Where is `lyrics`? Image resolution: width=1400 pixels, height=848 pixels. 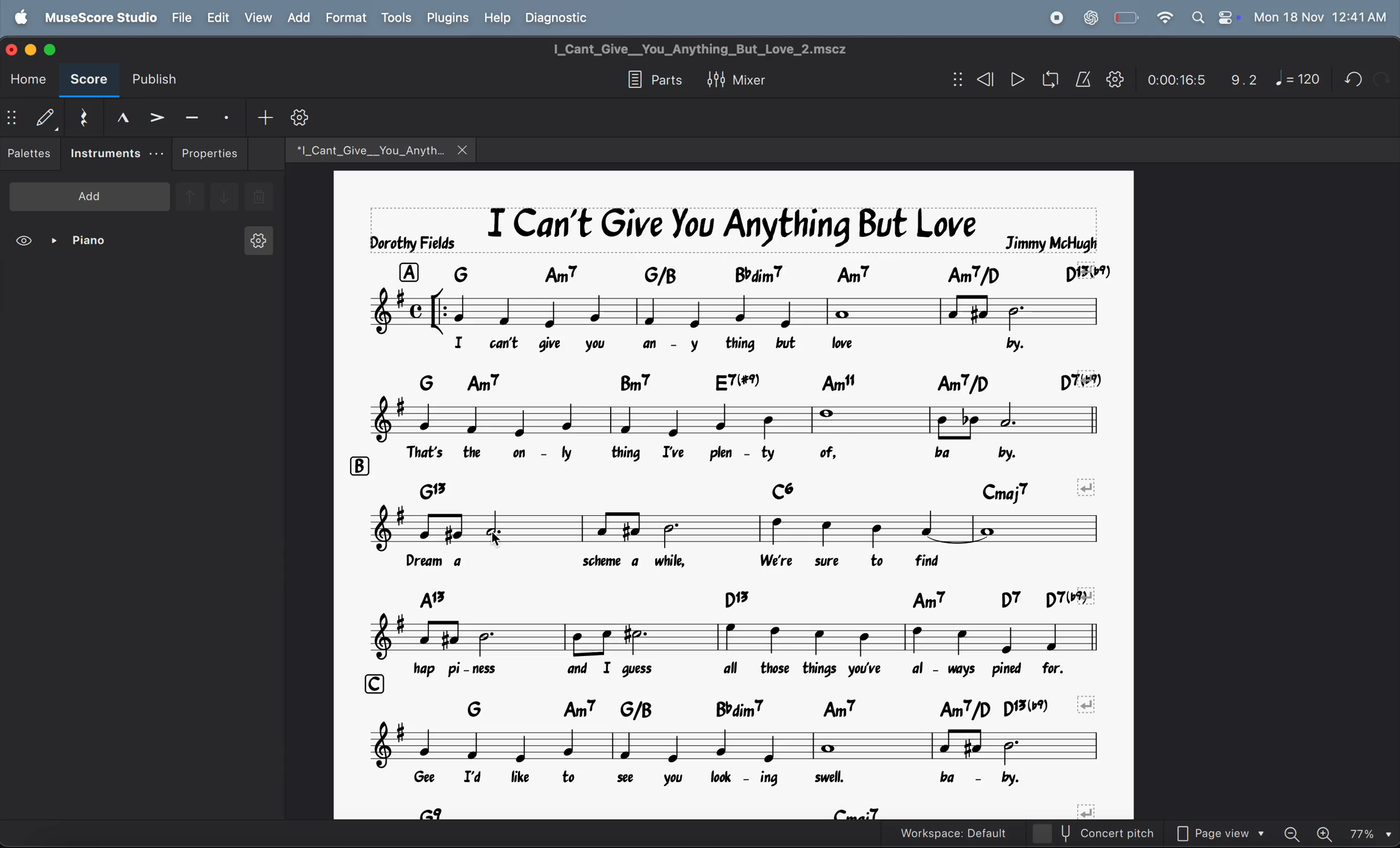 lyrics is located at coordinates (756, 346).